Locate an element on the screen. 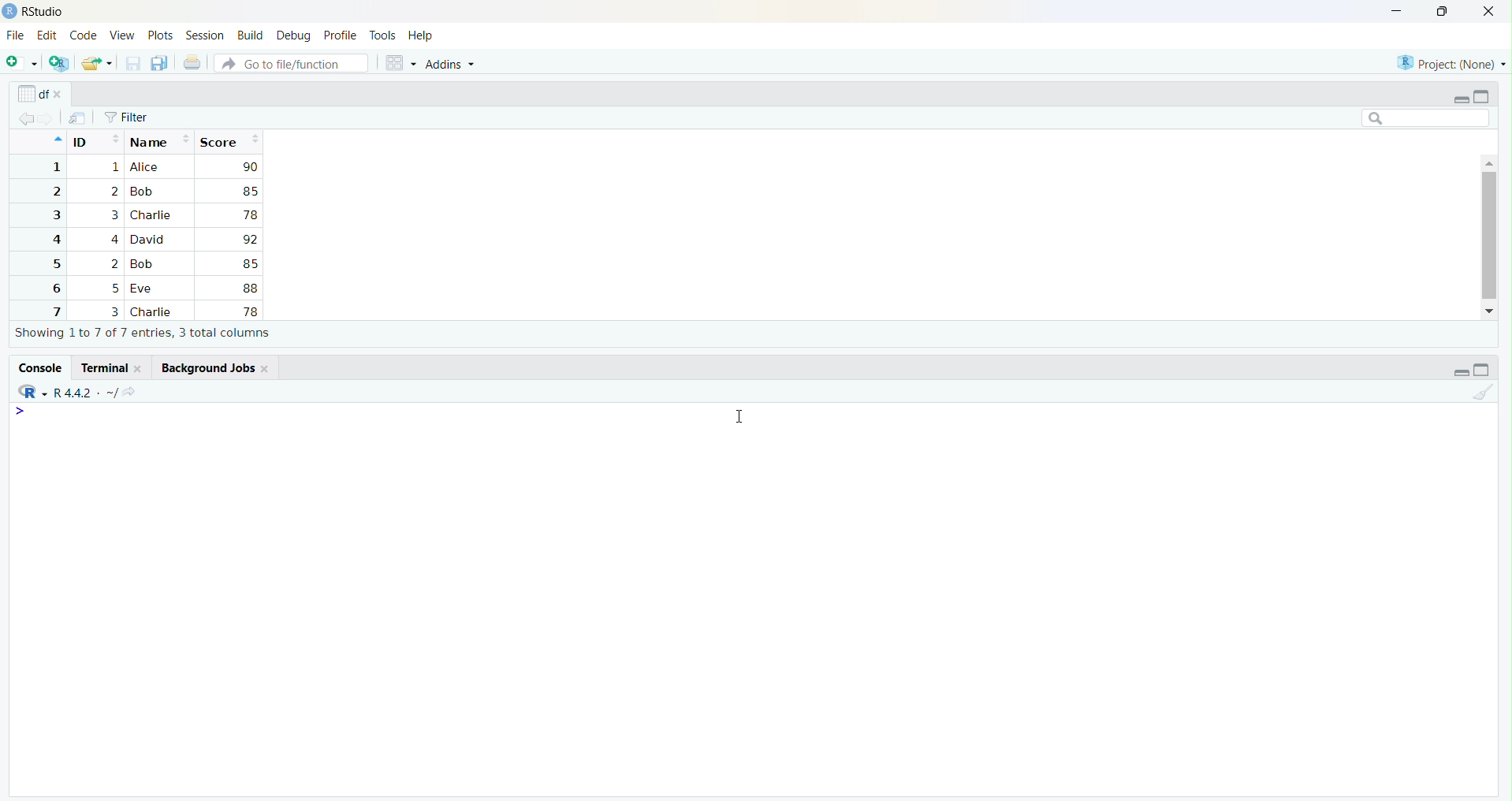  4 is located at coordinates (113, 239).